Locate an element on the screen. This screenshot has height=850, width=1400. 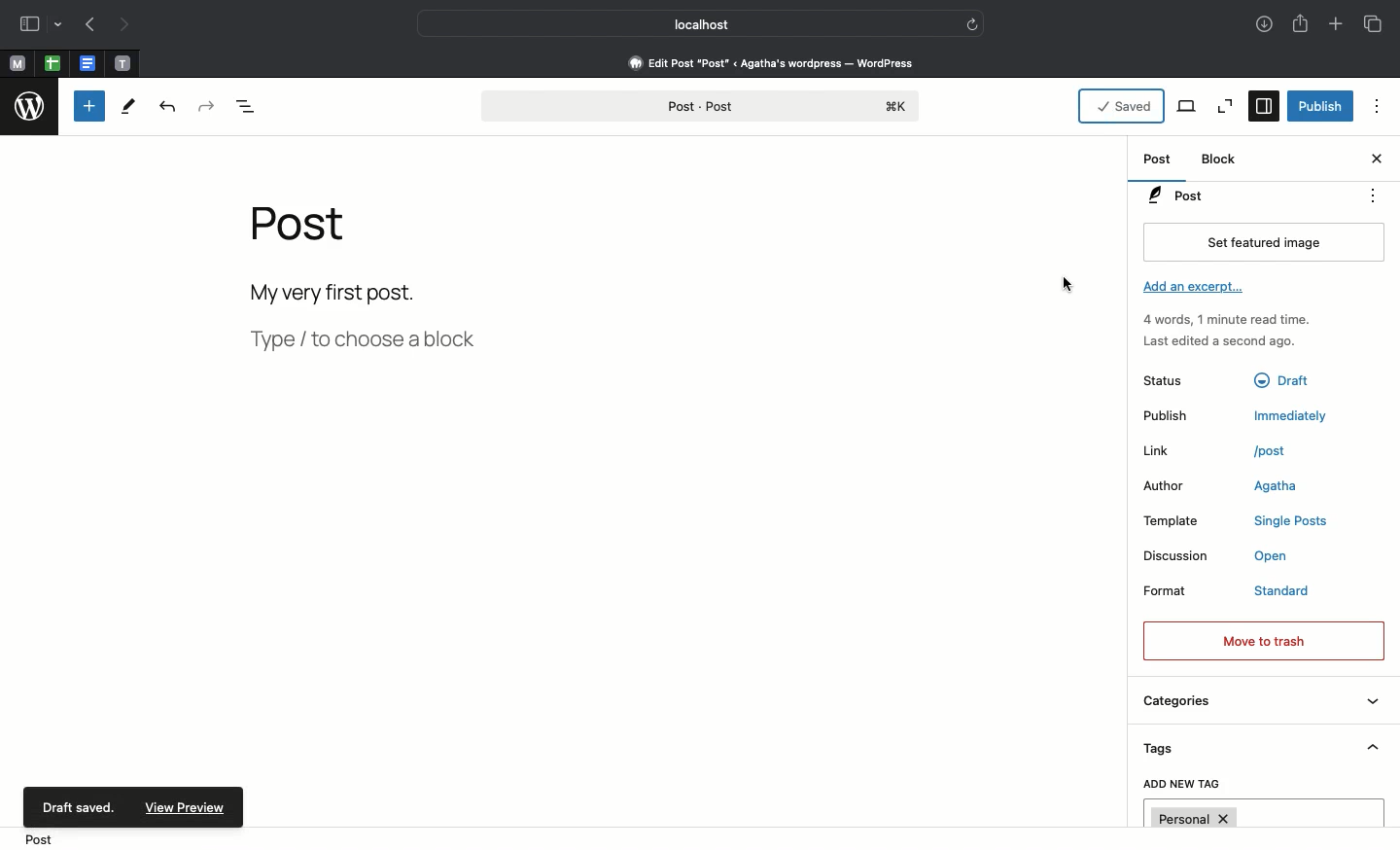
immediately  is located at coordinates (1281, 416).